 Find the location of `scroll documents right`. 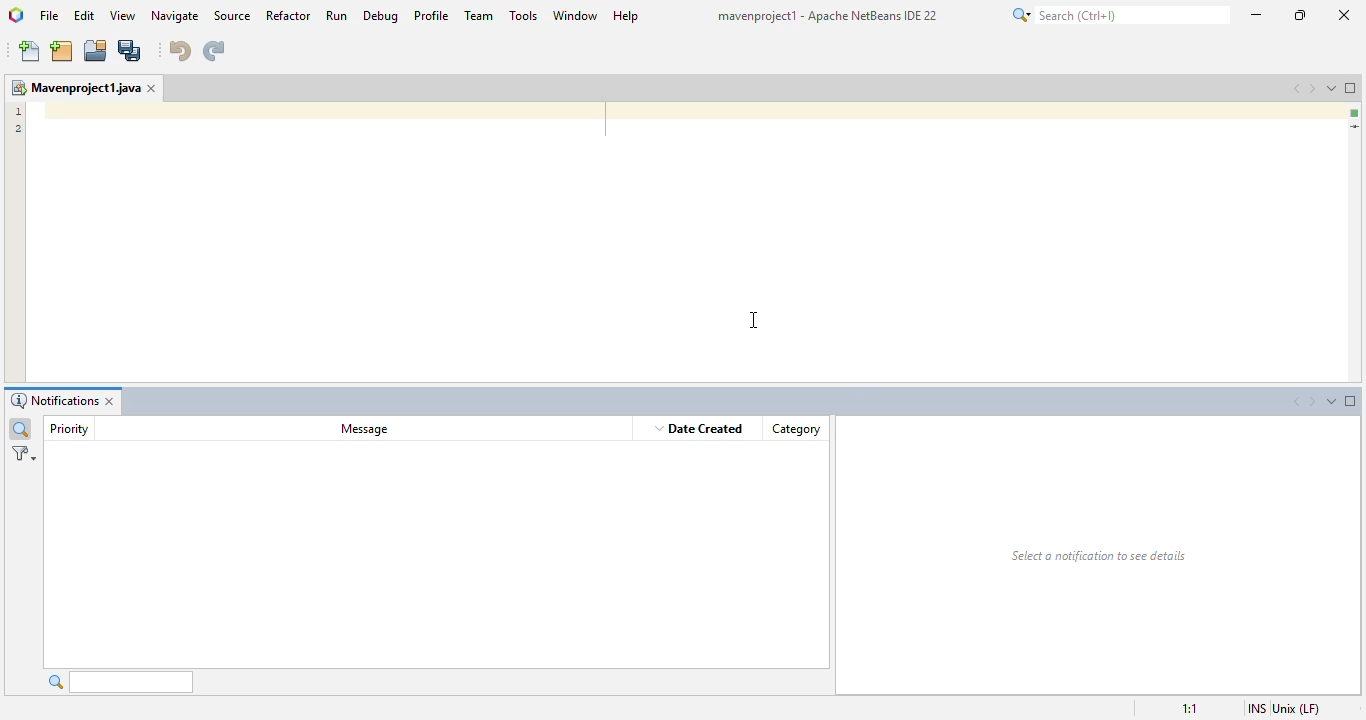

scroll documents right is located at coordinates (1314, 403).